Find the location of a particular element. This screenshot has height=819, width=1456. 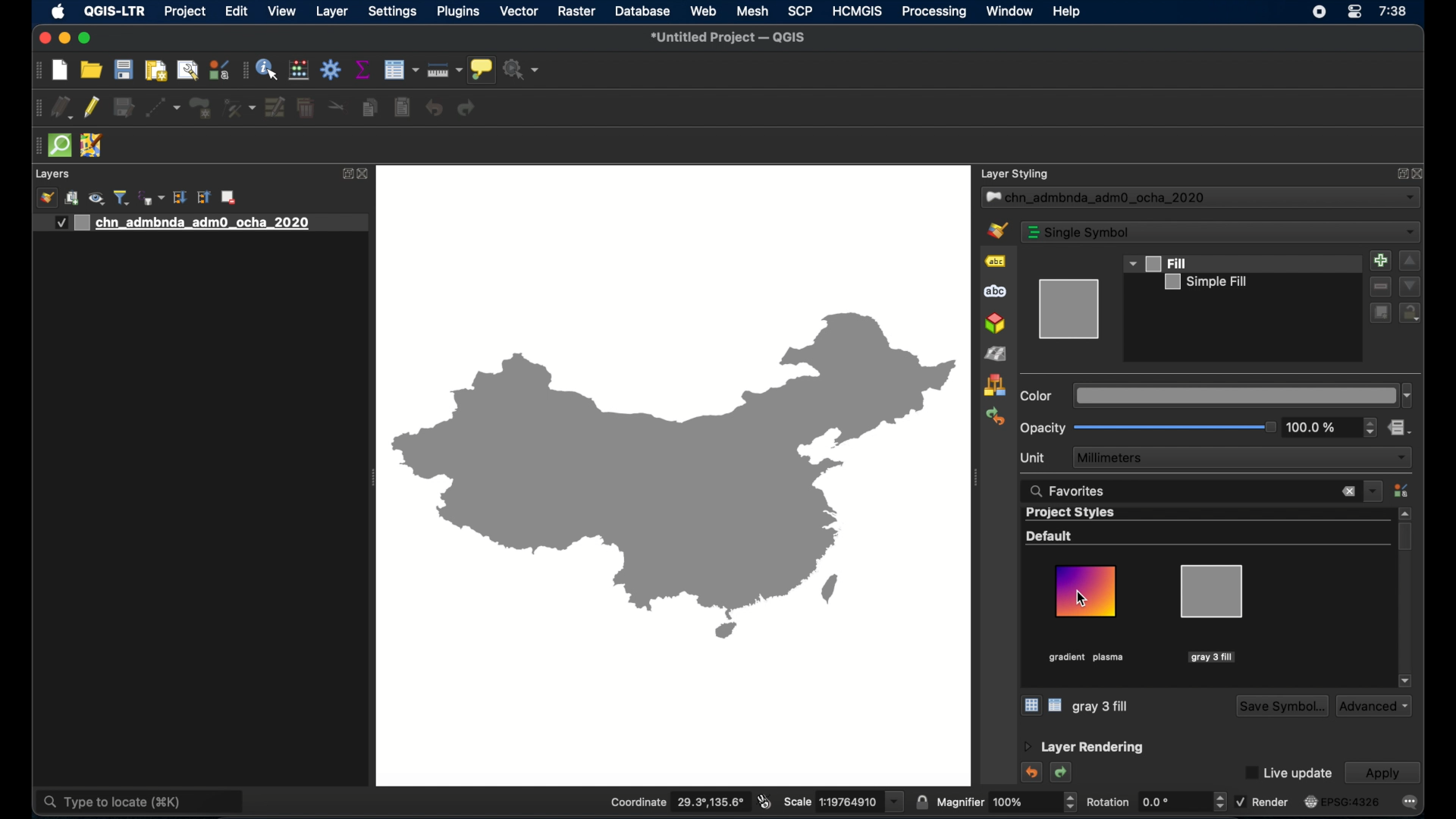

preview is located at coordinates (1070, 309).